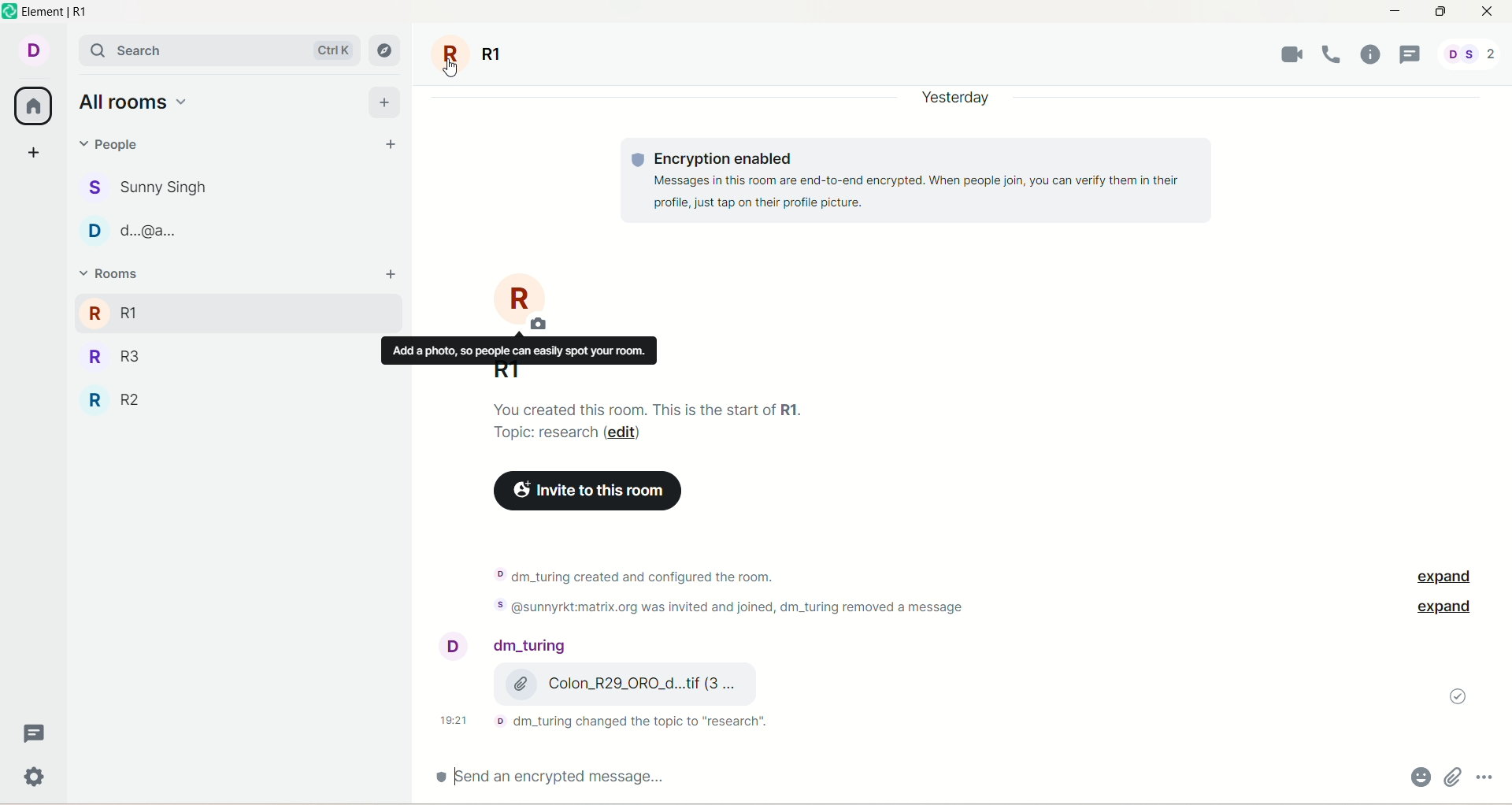  I want to click on start chat, so click(388, 140).